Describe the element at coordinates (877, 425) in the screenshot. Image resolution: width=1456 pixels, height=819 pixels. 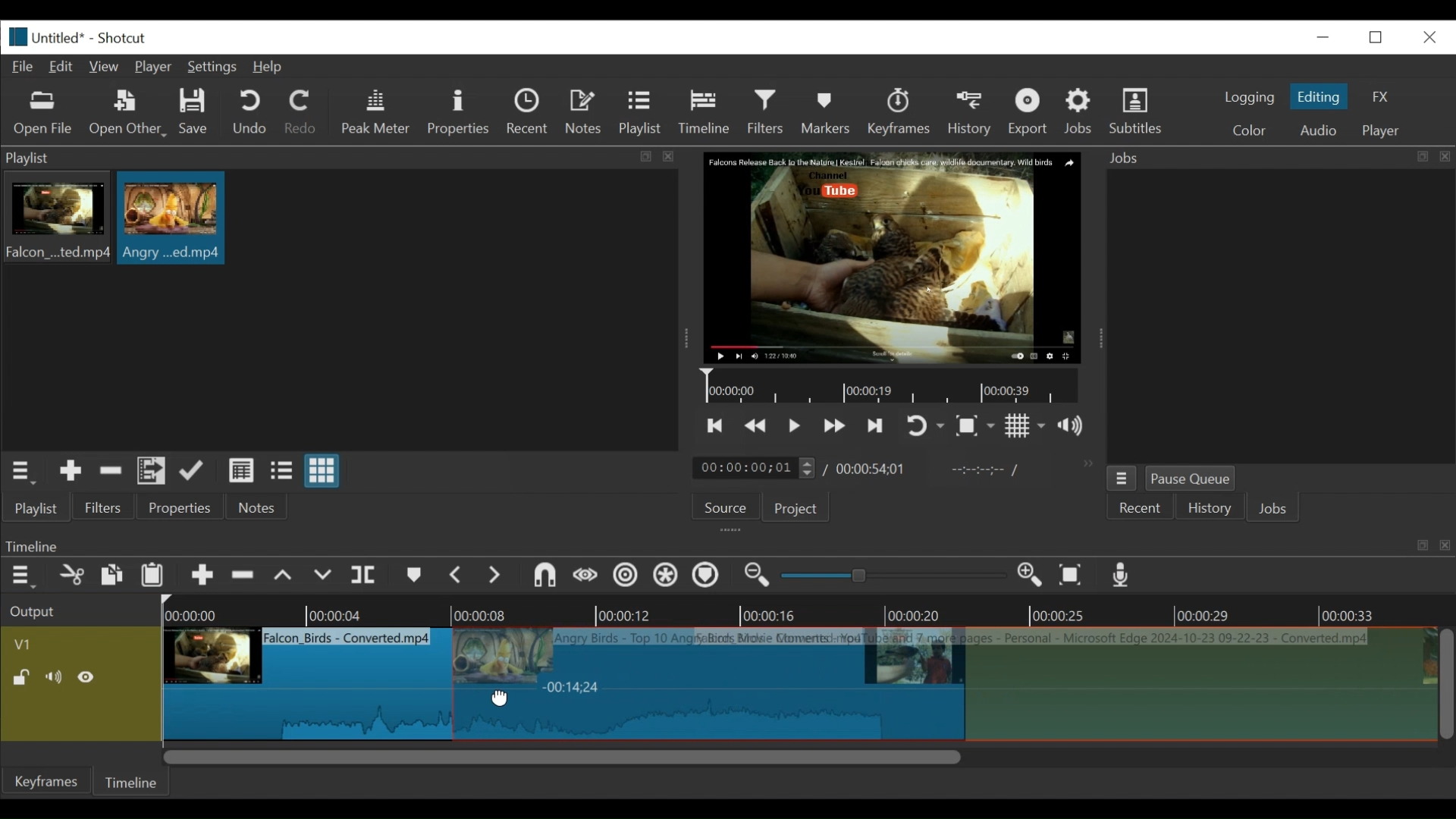
I see `skip to the next point` at that location.